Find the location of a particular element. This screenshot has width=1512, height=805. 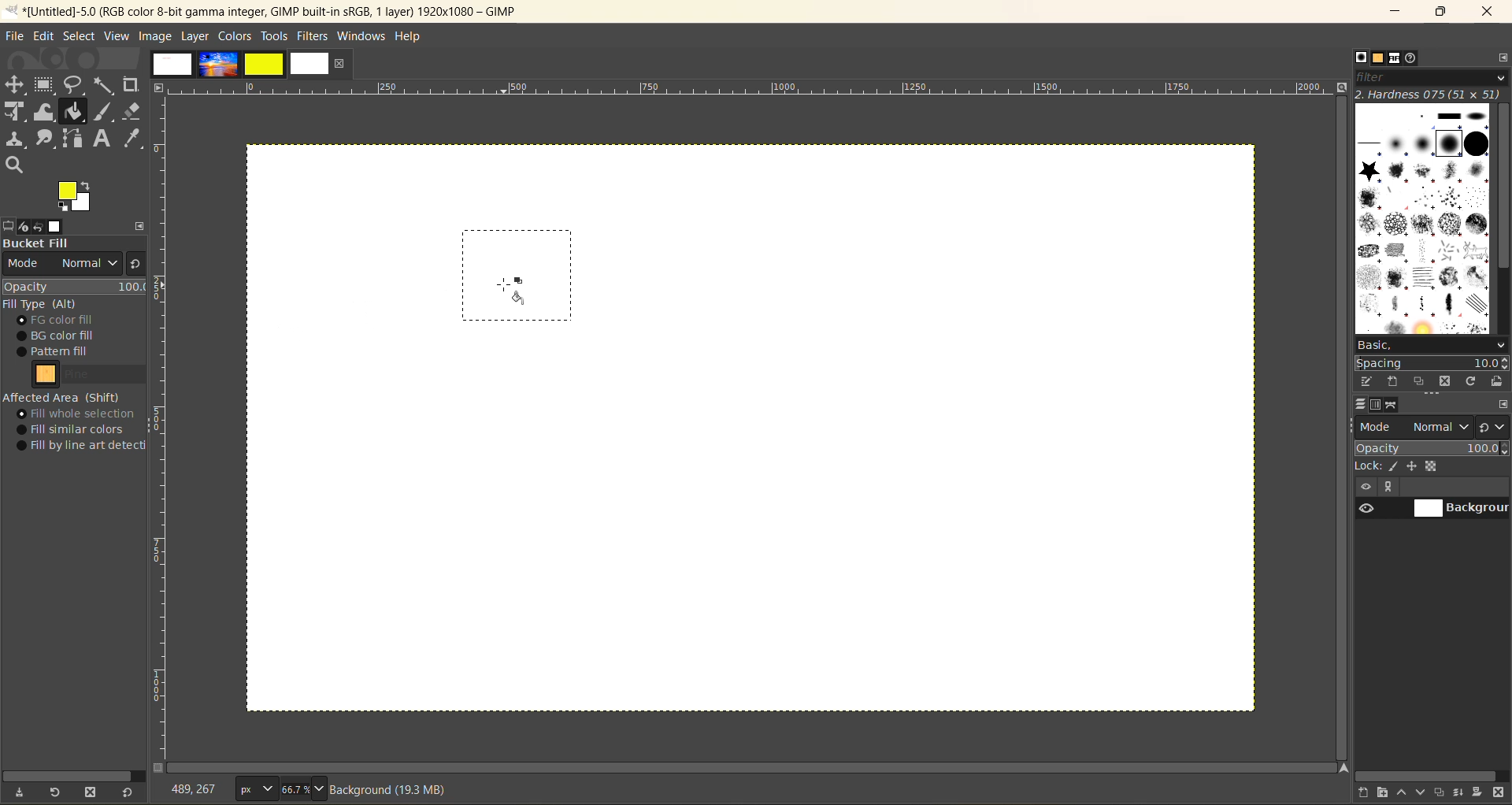

lock pixel, position, alpha is located at coordinates (1432, 468).